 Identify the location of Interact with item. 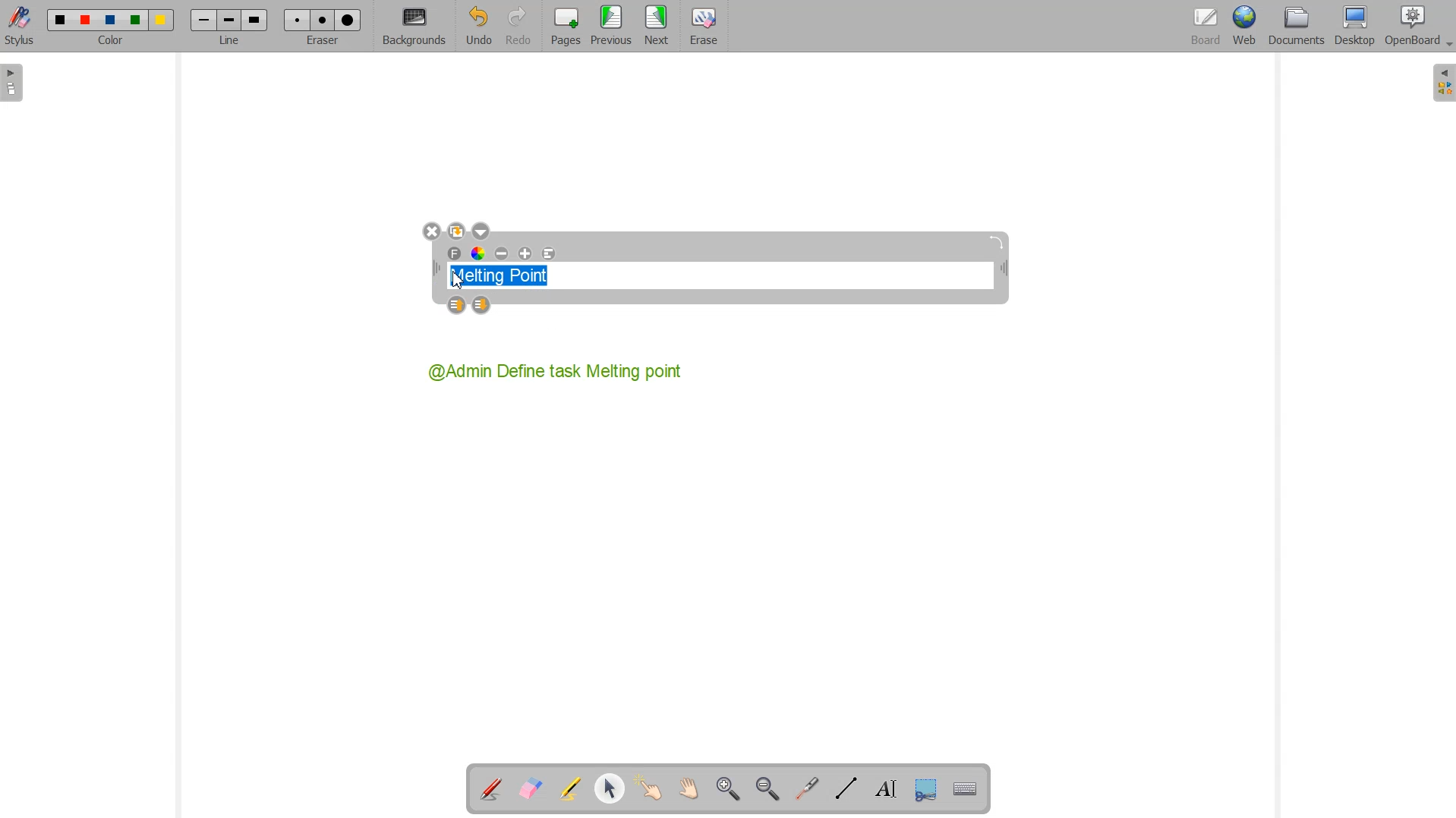
(648, 789).